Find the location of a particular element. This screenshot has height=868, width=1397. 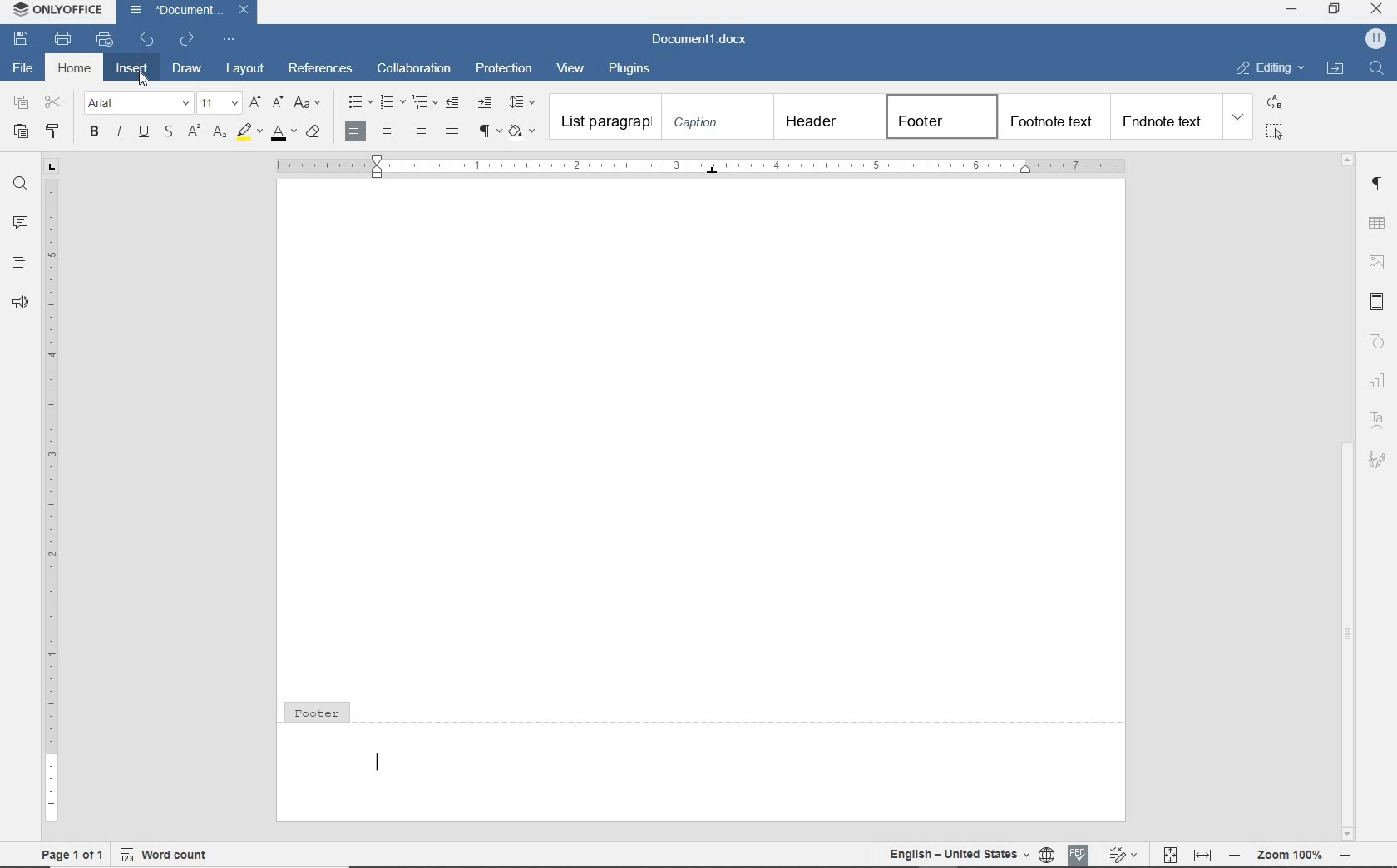

chart is located at coordinates (1378, 382).